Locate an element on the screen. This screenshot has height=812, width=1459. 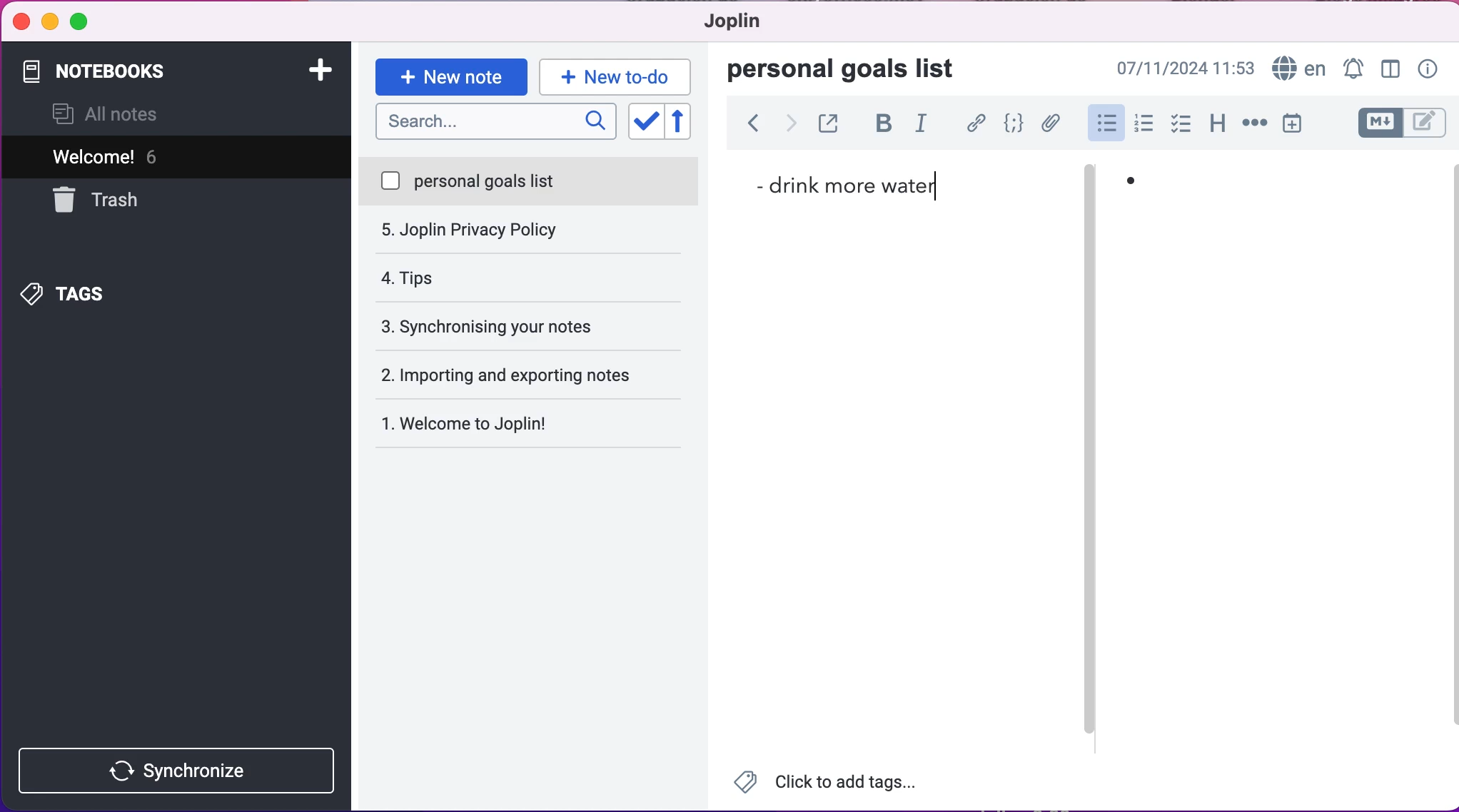
toggle editors is located at coordinates (1389, 123).